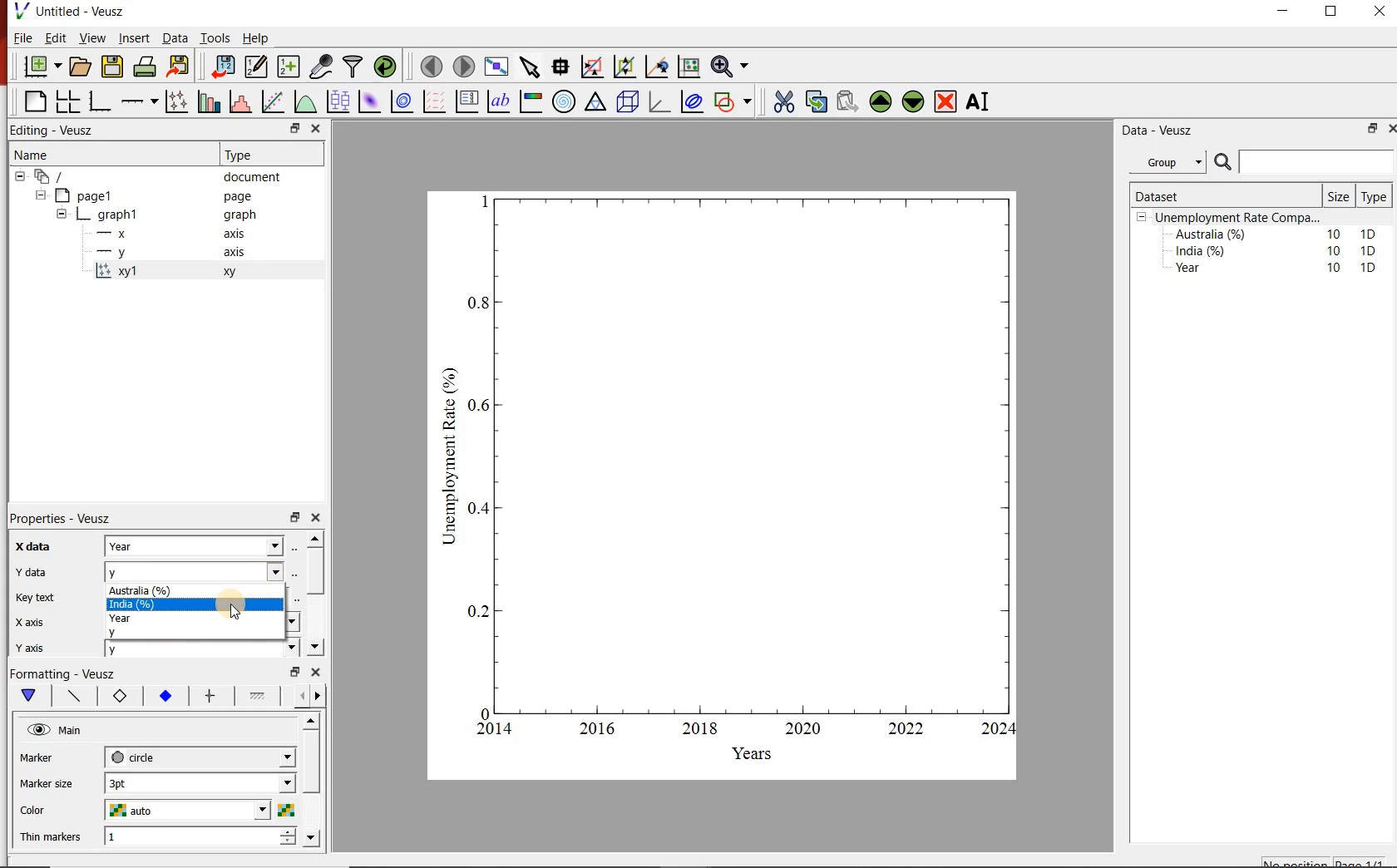 Image resolution: width=1397 pixels, height=868 pixels. What do you see at coordinates (285, 810) in the screenshot?
I see `choose color` at bounding box center [285, 810].